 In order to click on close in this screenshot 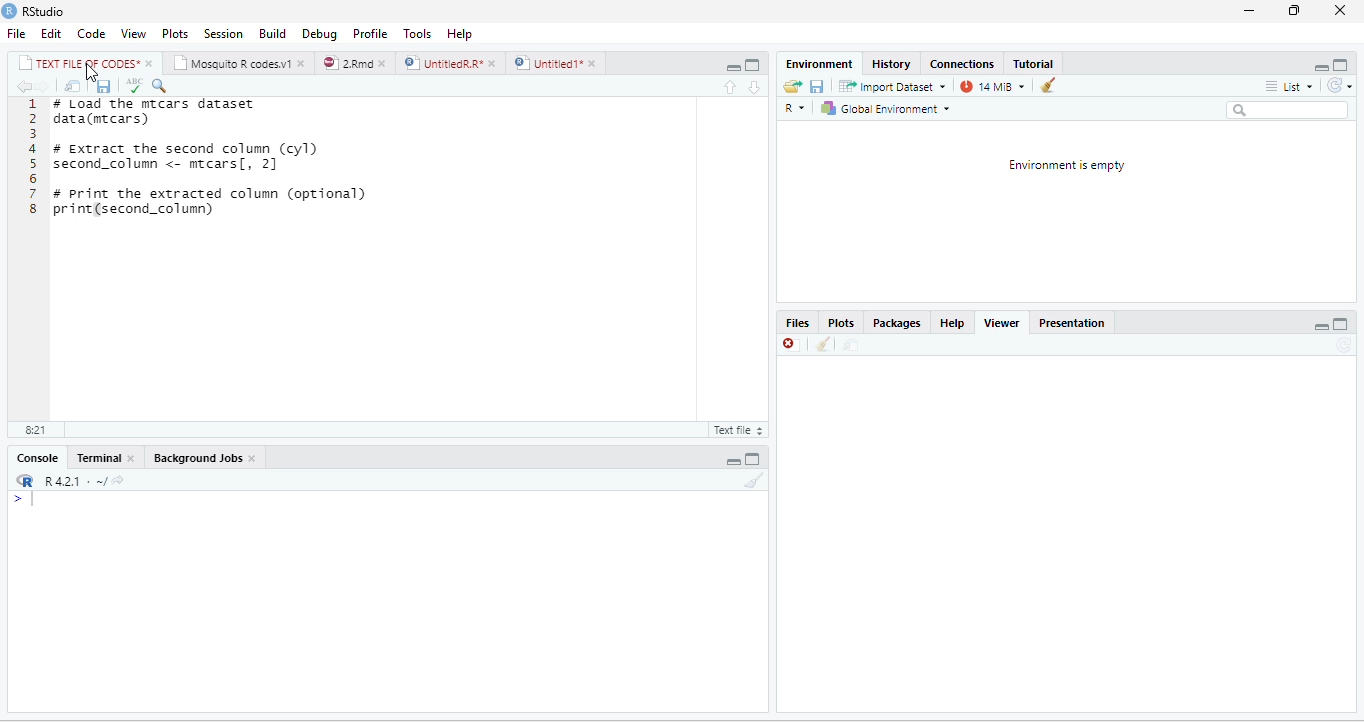, I will do `click(254, 458)`.